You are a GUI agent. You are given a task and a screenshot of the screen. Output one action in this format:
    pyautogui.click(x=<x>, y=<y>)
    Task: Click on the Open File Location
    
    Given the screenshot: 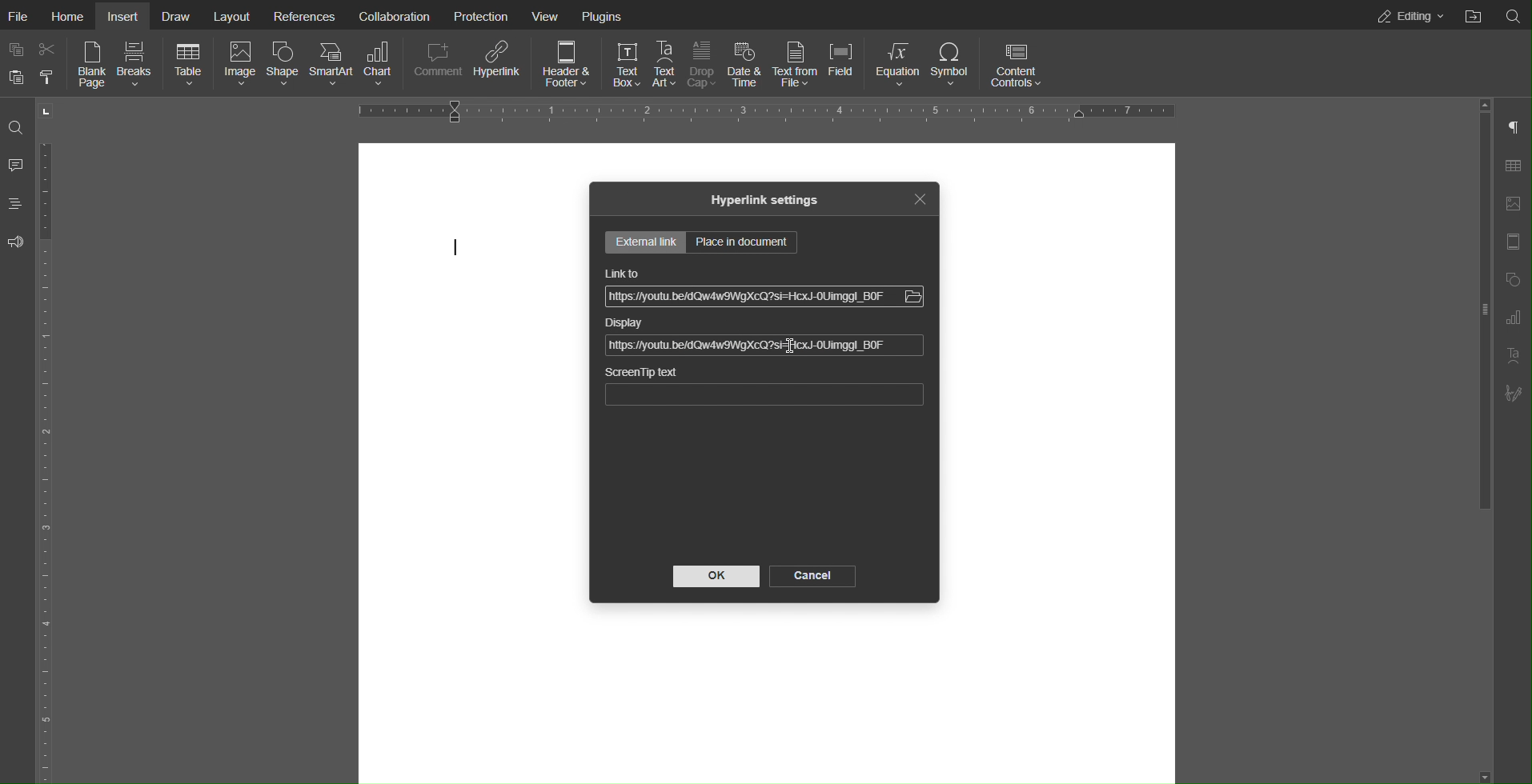 What is the action you would take?
    pyautogui.click(x=1474, y=15)
    